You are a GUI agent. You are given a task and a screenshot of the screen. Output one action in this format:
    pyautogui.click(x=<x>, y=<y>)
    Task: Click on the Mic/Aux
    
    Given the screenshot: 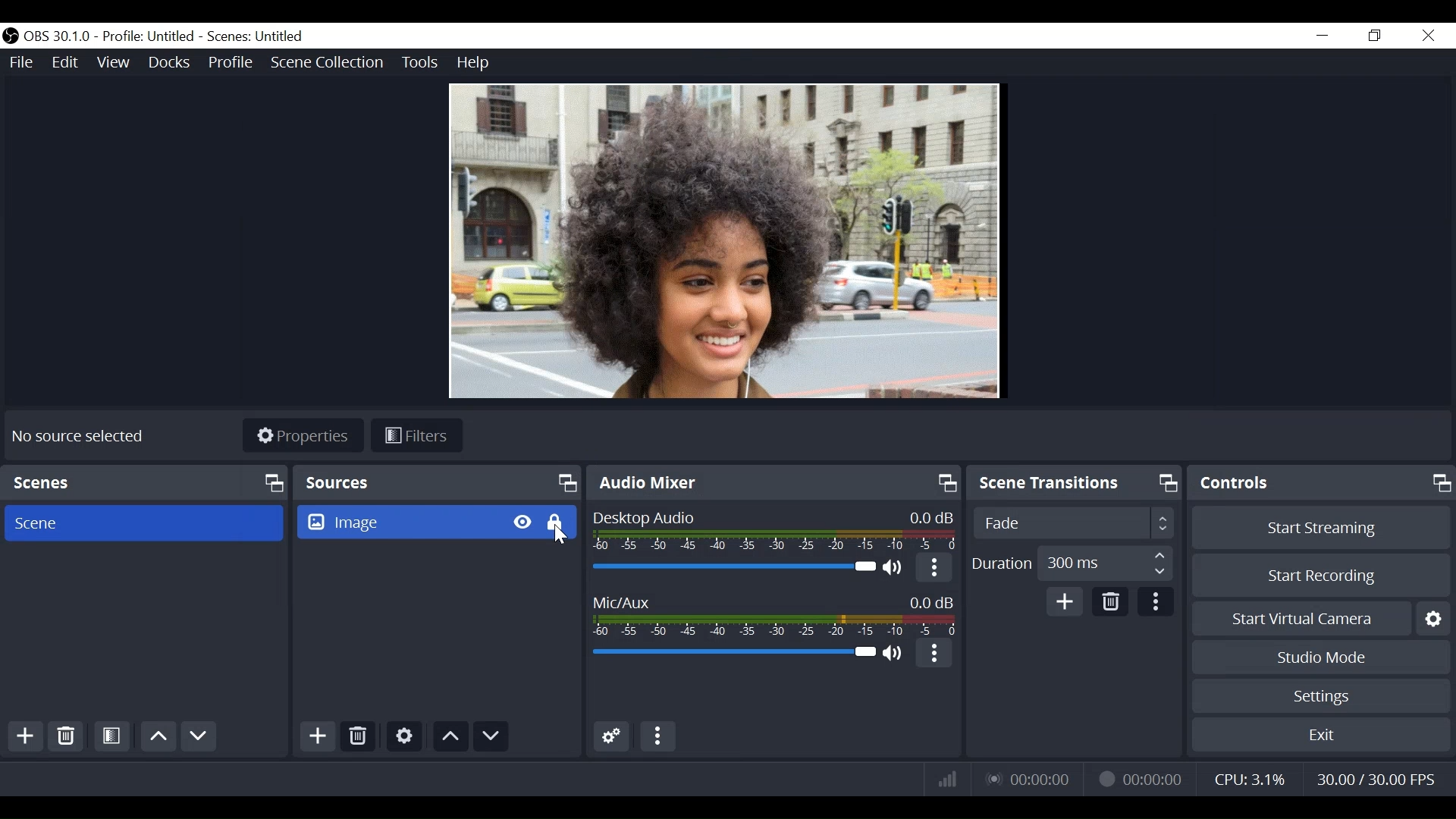 What is the action you would take?
    pyautogui.click(x=774, y=614)
    